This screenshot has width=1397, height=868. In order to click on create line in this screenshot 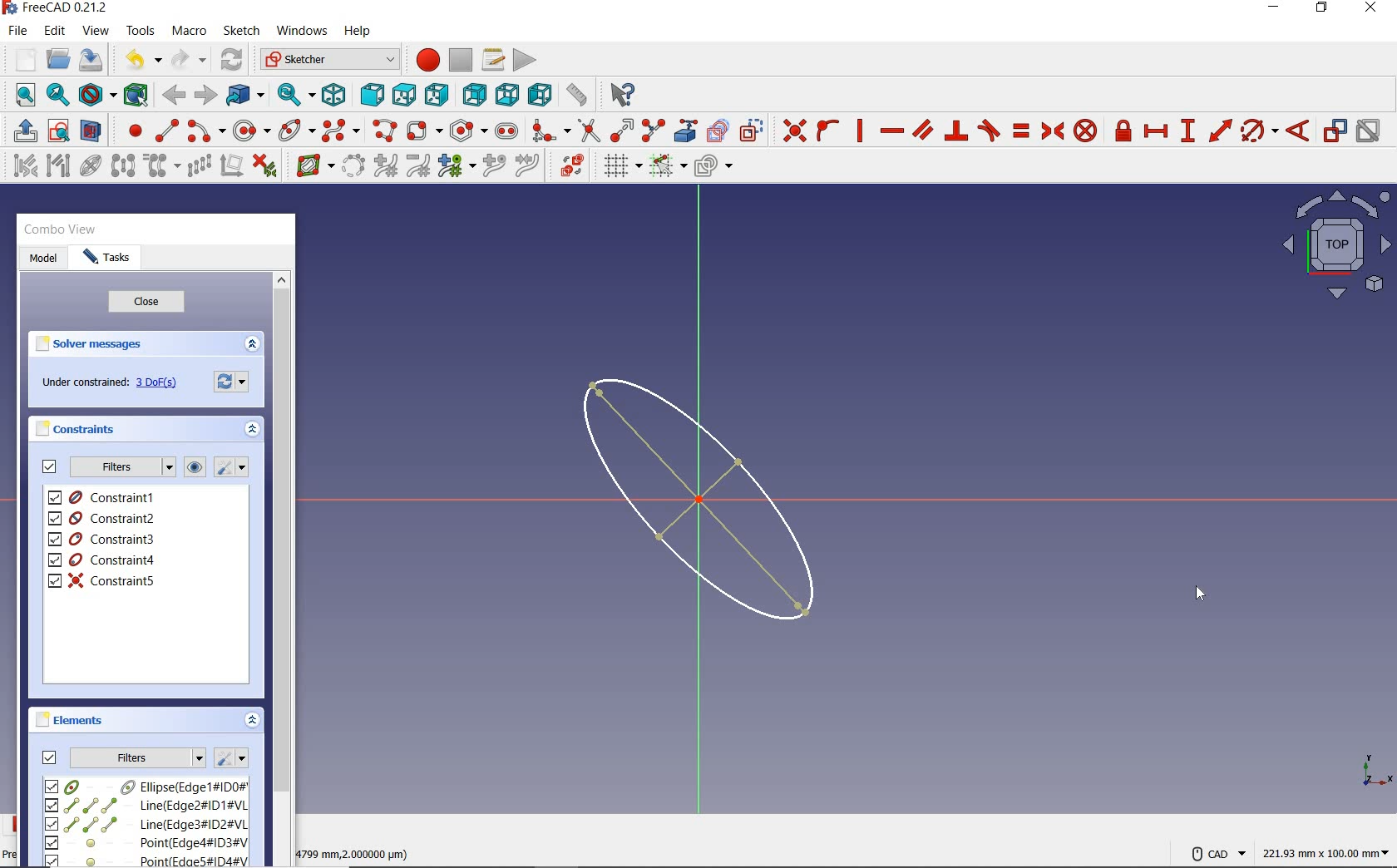, I will do `click(166, 131)`.